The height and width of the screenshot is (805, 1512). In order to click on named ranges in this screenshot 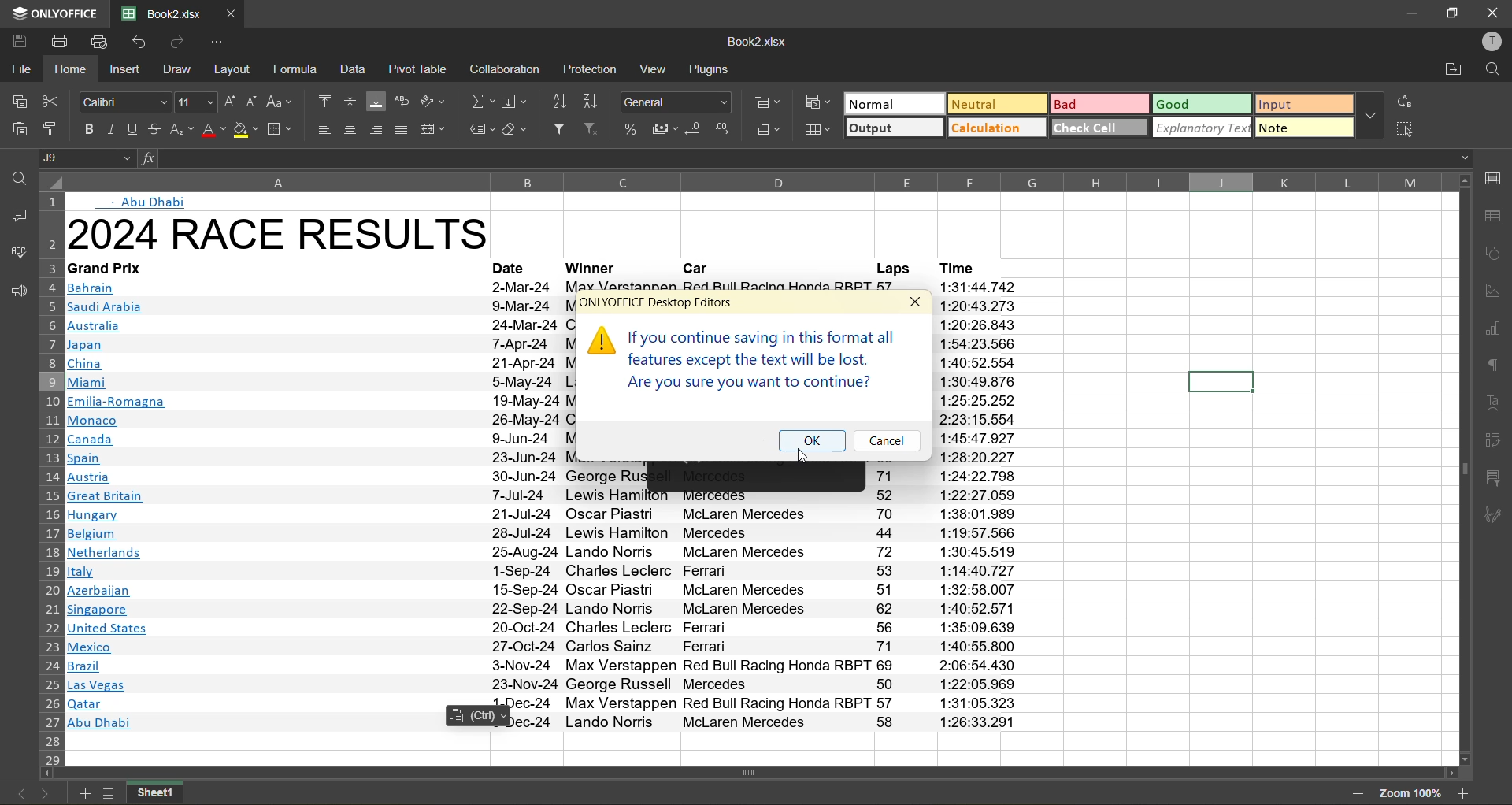, I will do `click(480, 127)`.